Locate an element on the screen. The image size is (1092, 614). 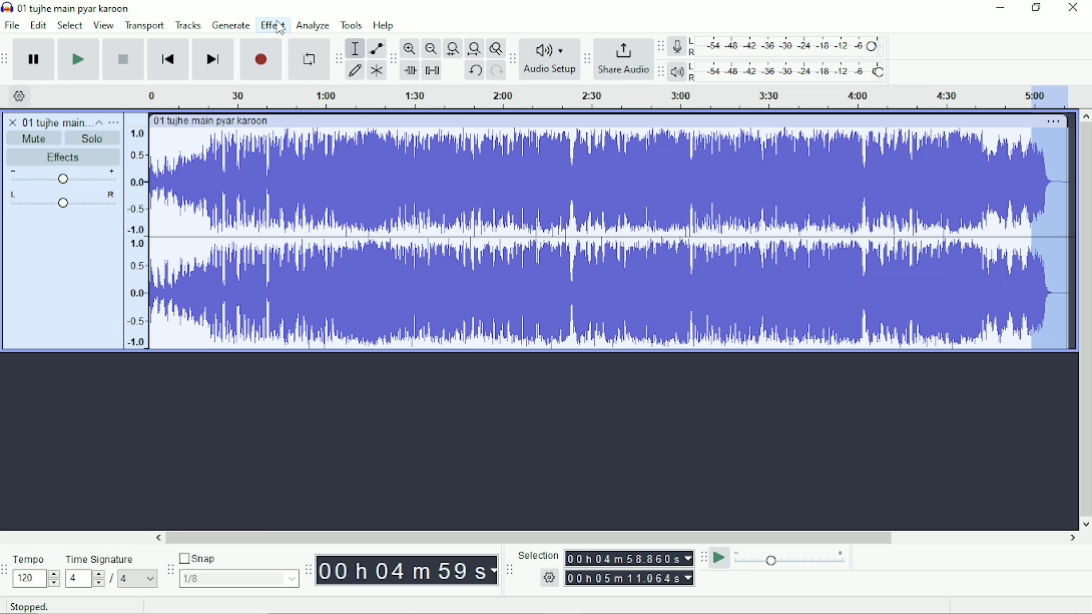
01 tujhe main pyar karoon is located at coordinates (56, 121).